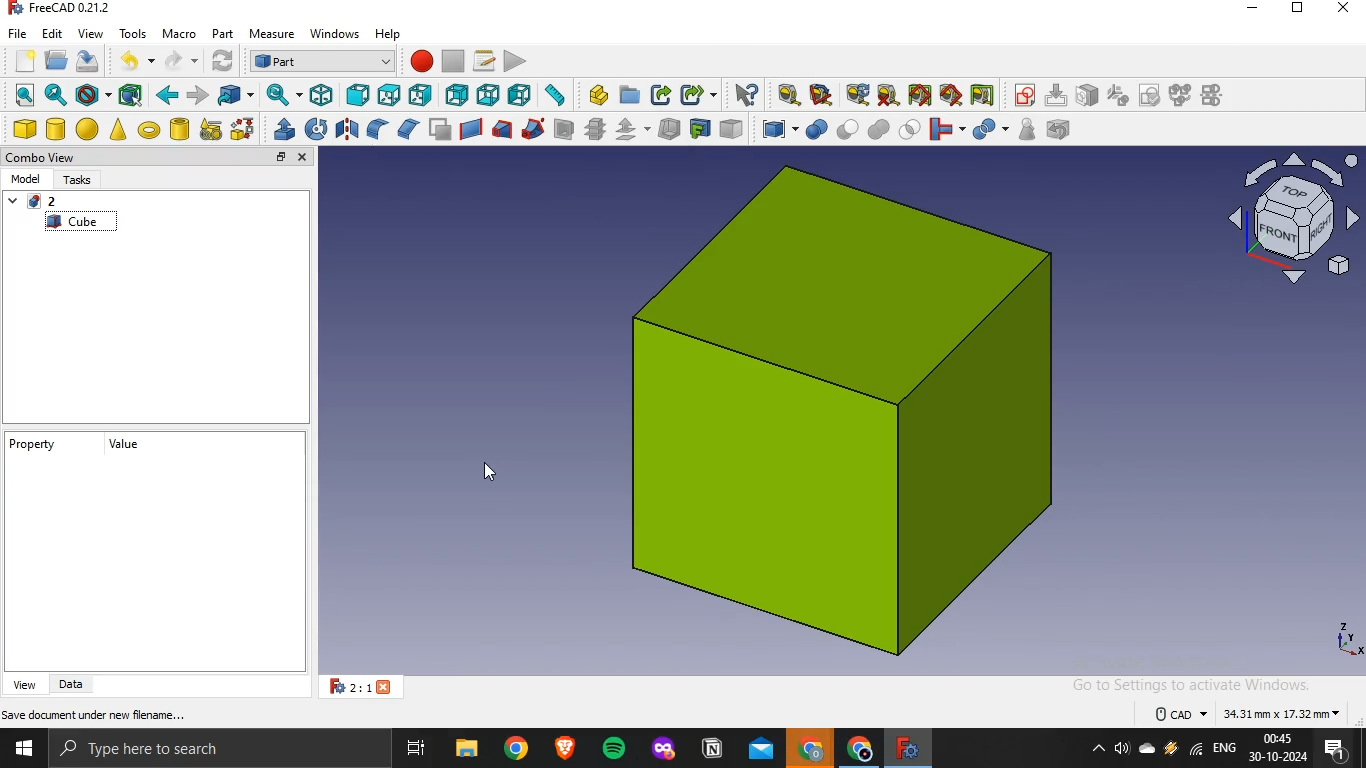 The width and height of the screenshot is (1366, 768). What do you see at coordinates (697, 93) in the screenshot?
I see `make sublink` at bounding box center [697, 93].